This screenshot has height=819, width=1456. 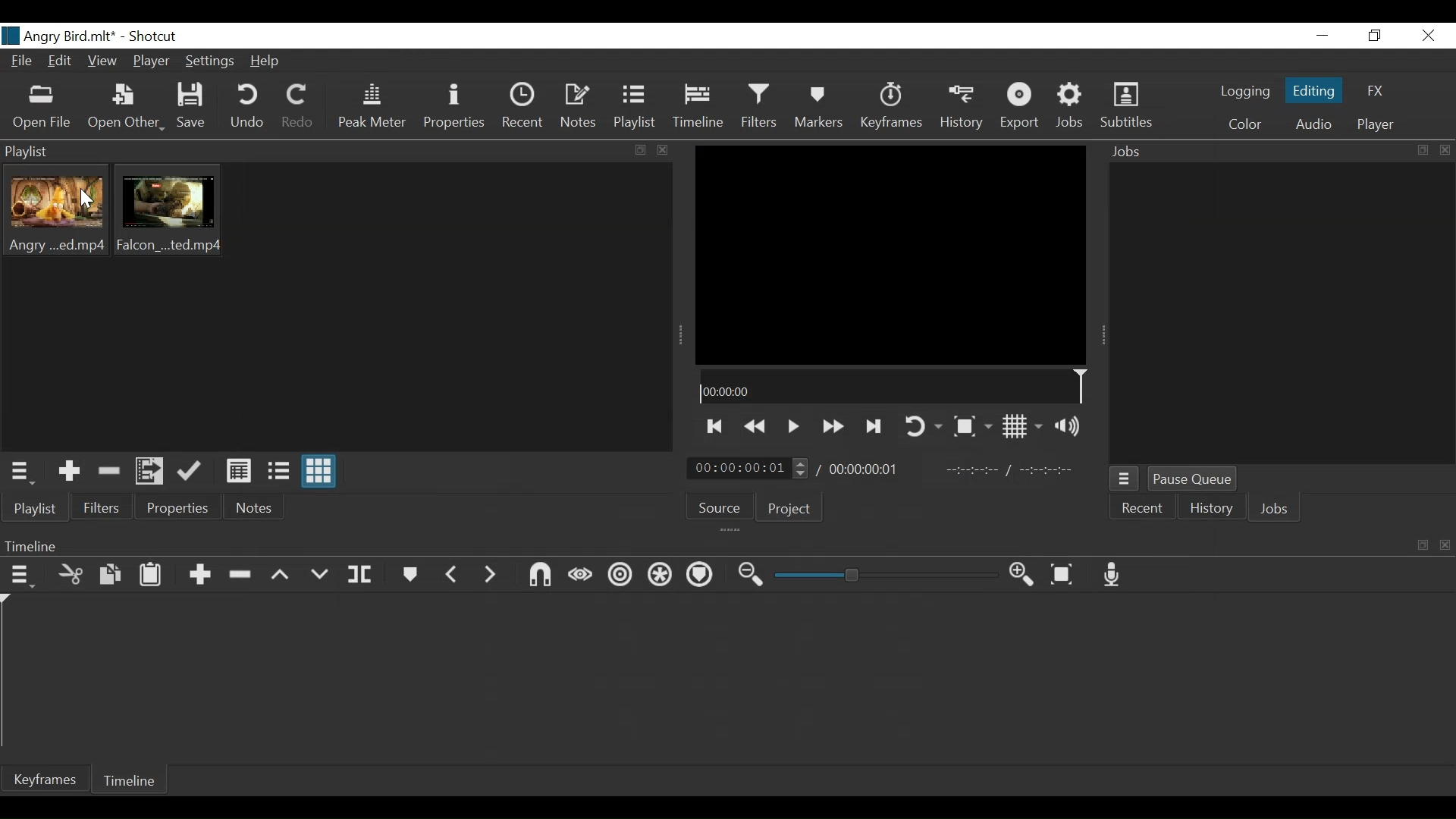 What do you see at coordinates (125, 107) in the screenshot?
I see `Open Other` at bounding box center [125, 107].